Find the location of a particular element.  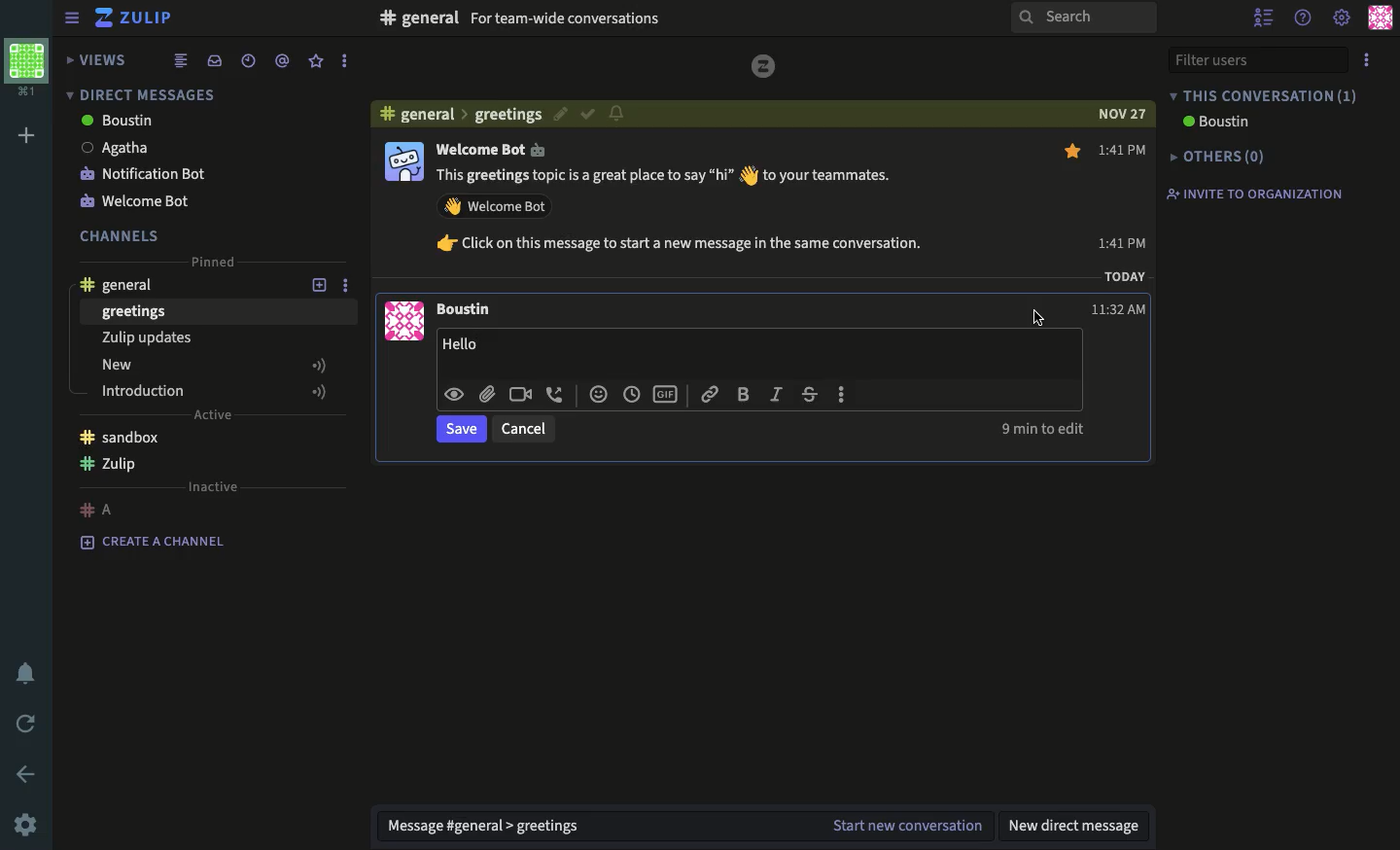

options is located at coordinates (345, 61).